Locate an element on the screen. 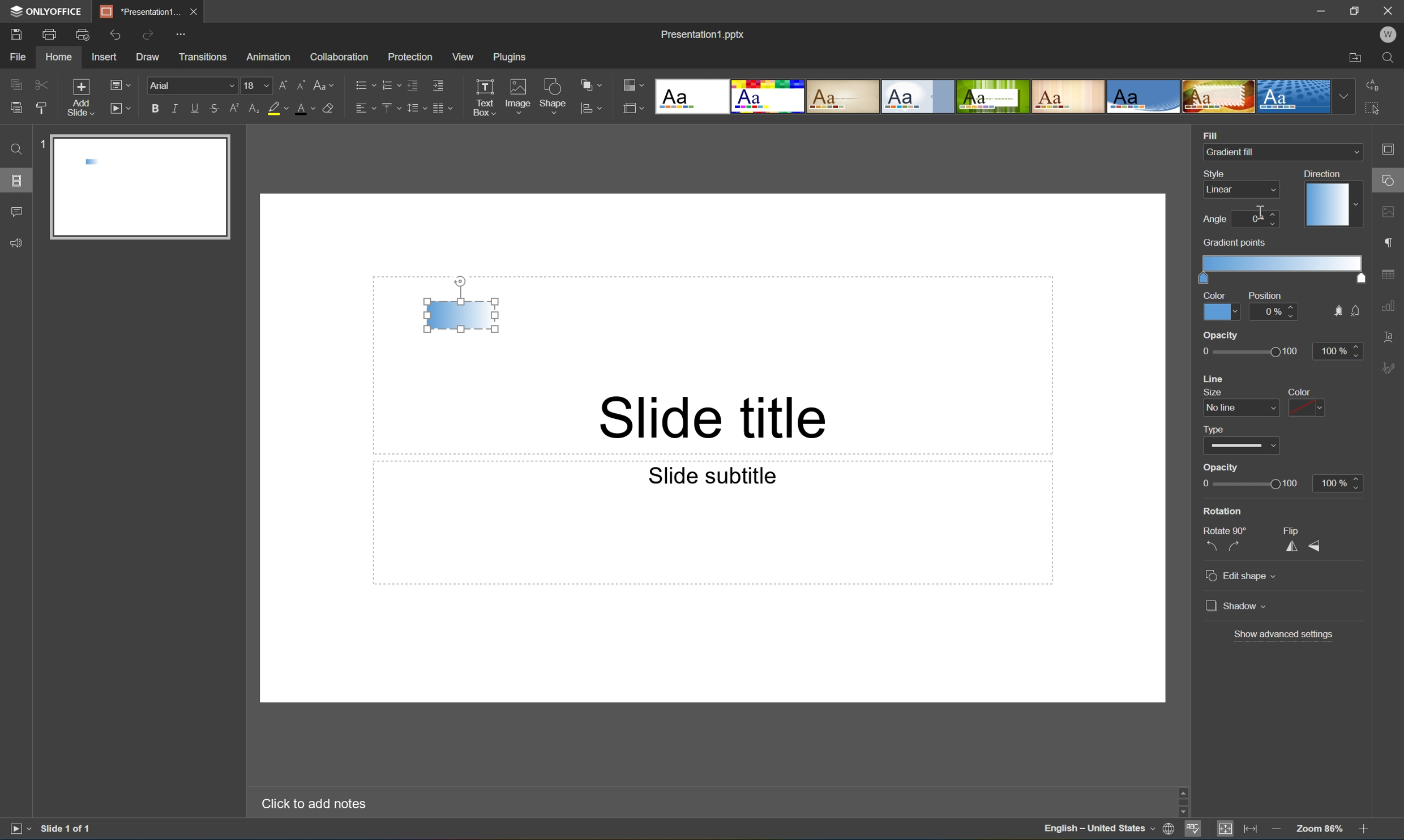  Opacity is located at coordinates (1222, 468).